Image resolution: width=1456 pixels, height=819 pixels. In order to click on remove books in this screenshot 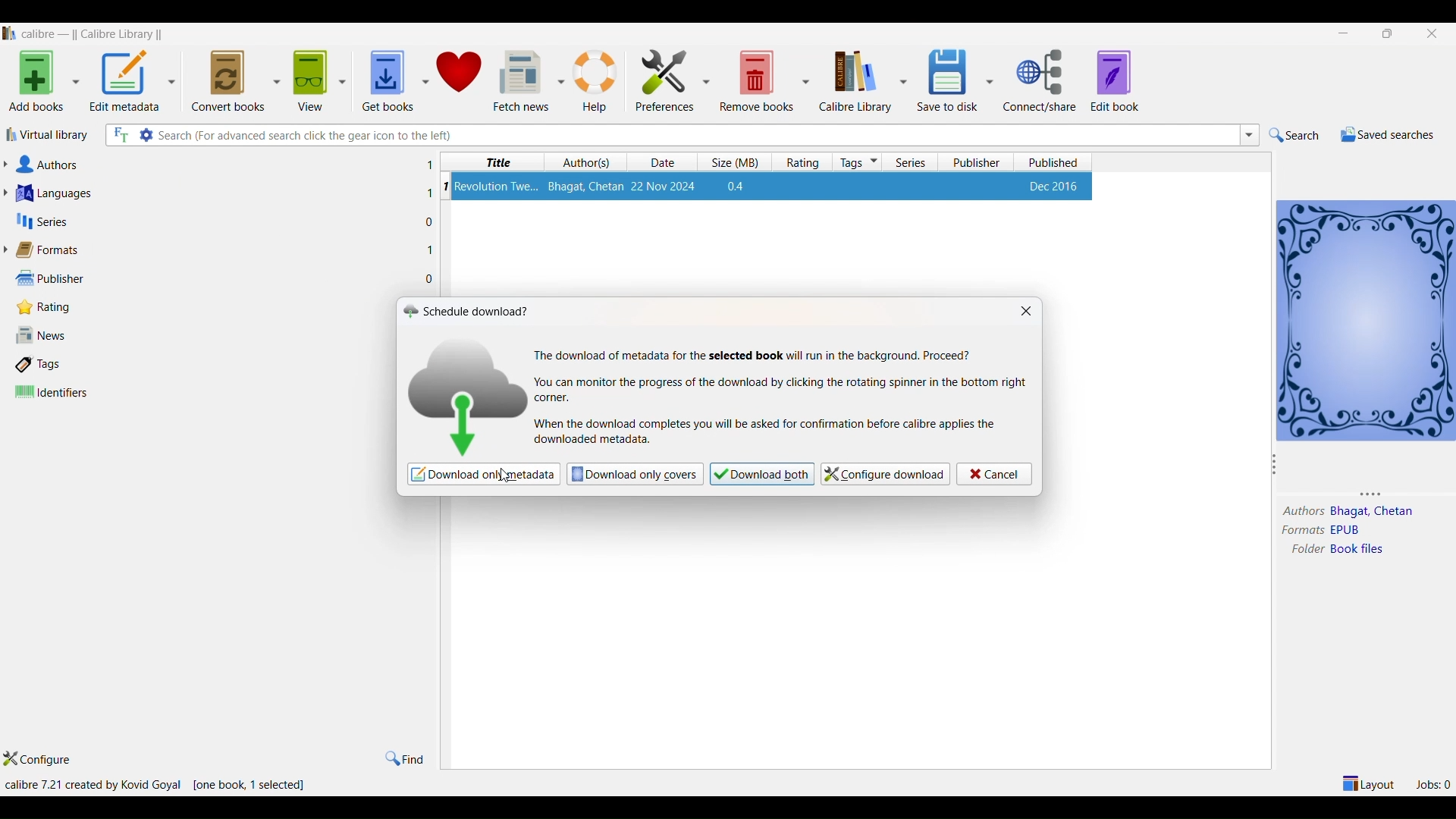, I will do `click(757, 79)`.